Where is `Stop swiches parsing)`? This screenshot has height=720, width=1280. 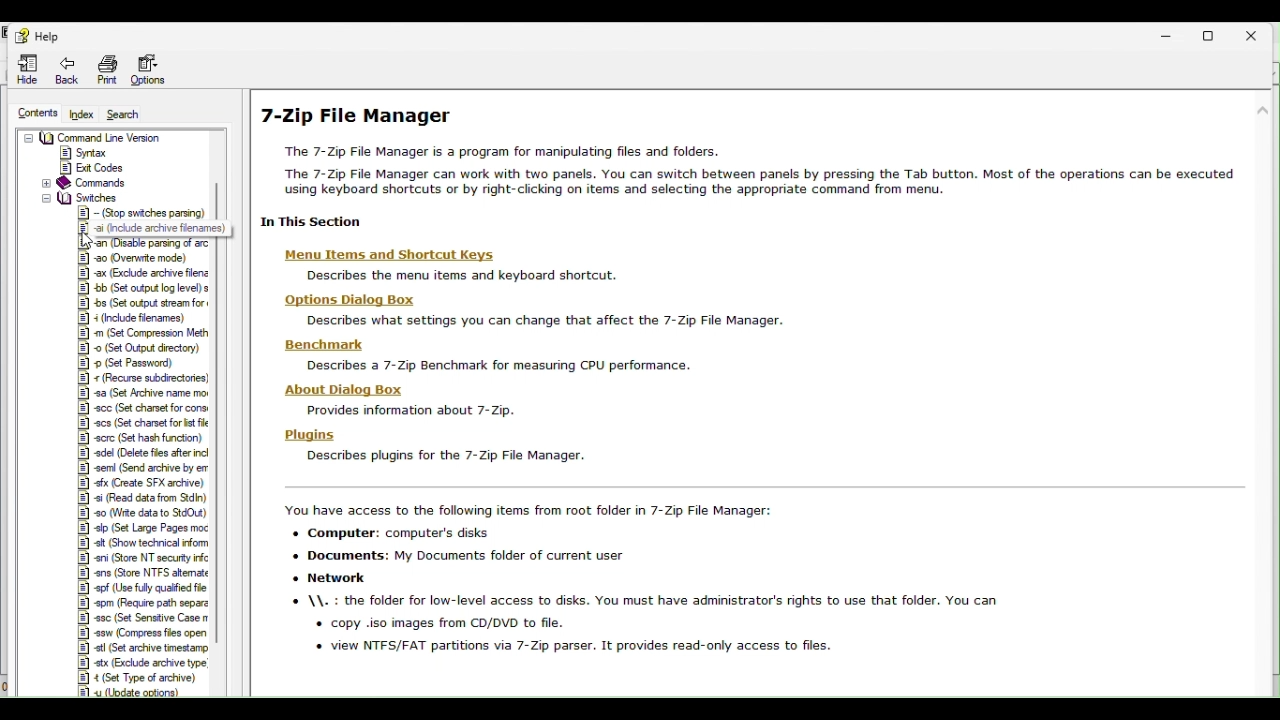
Stop swiches parsing) is located at coordinates (144, 213).